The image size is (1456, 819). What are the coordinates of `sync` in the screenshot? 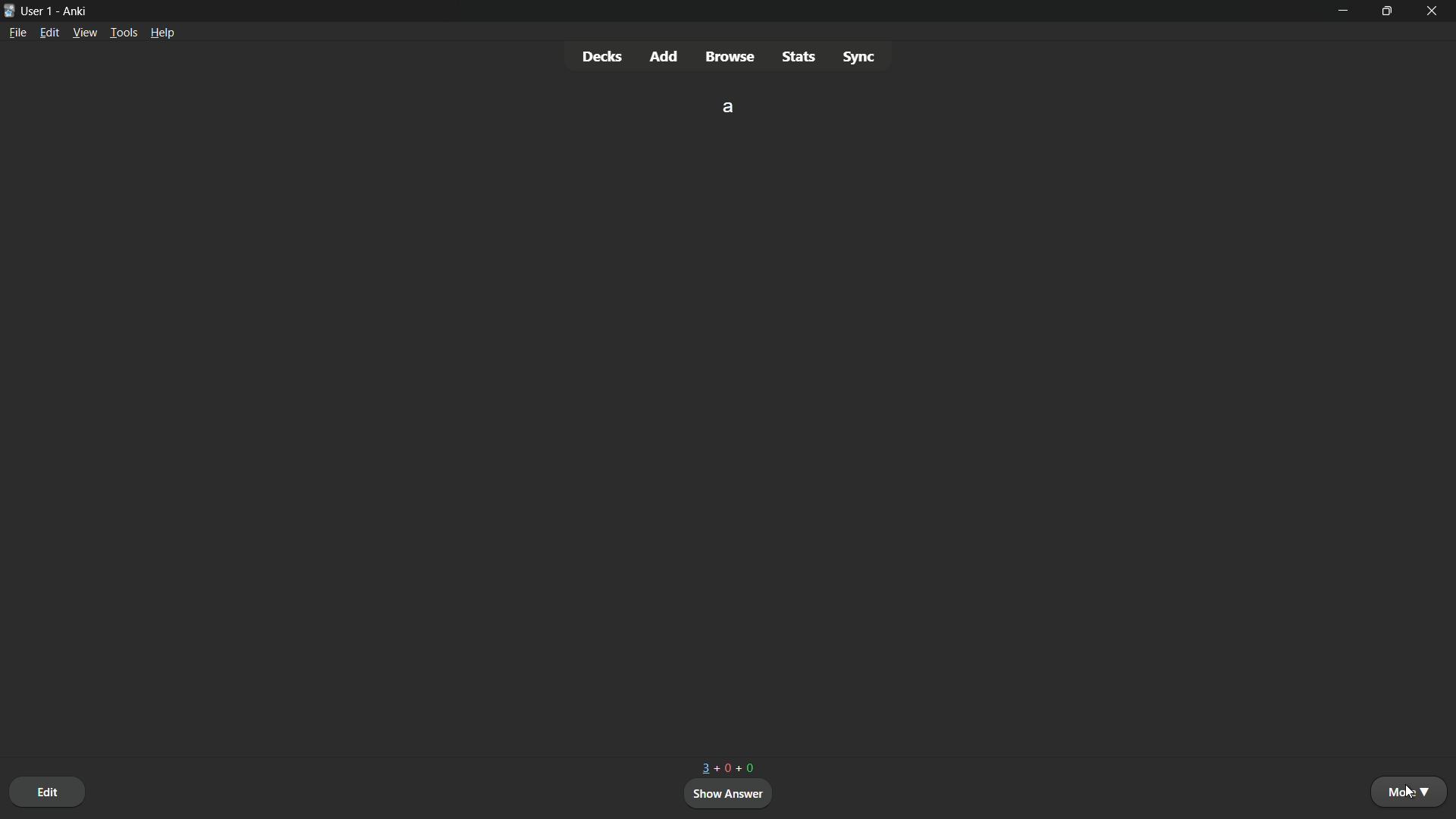 It's located at (859, 55).